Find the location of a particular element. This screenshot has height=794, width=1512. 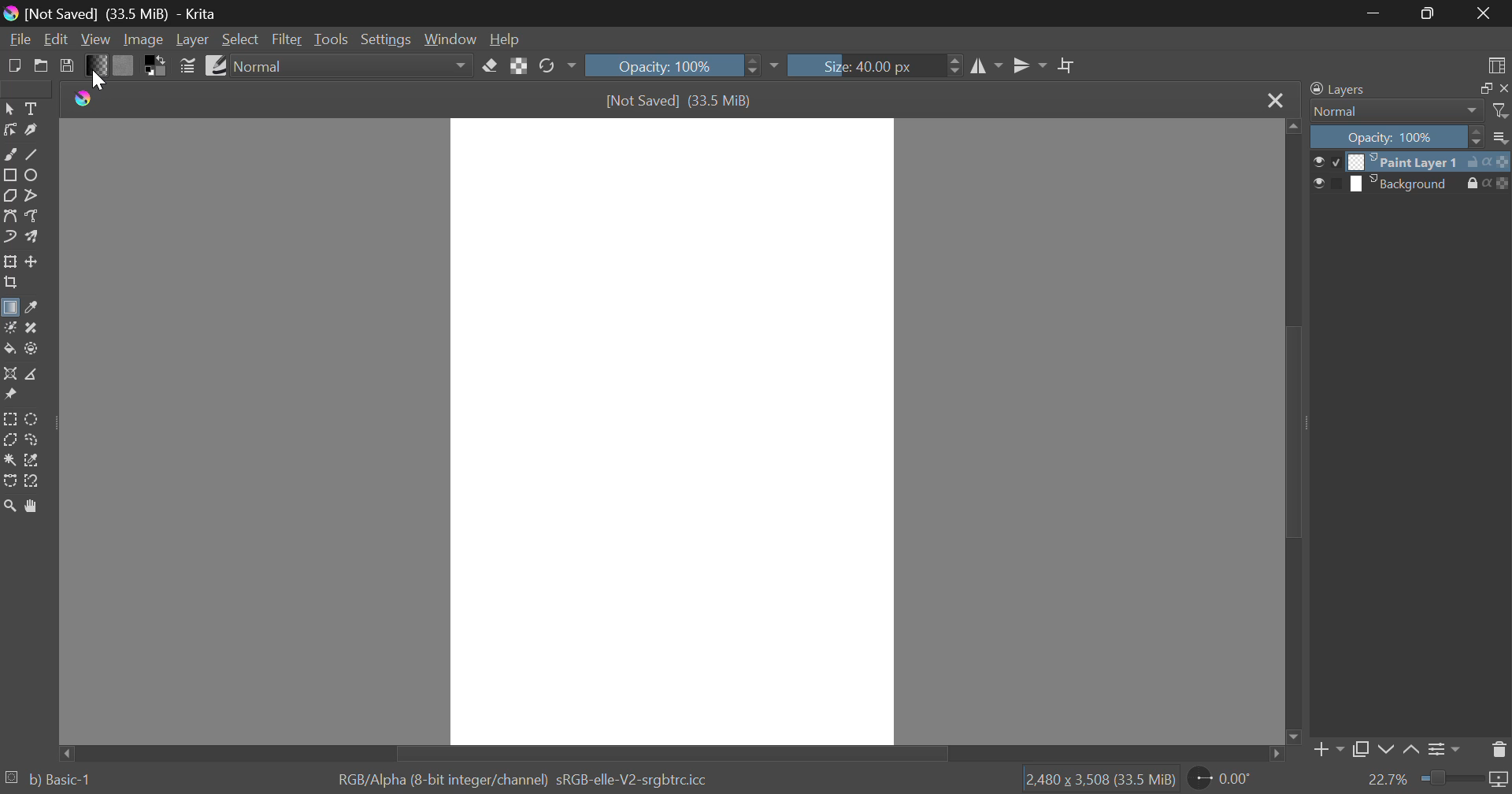

full screen is located at coordinates (1481, 89).